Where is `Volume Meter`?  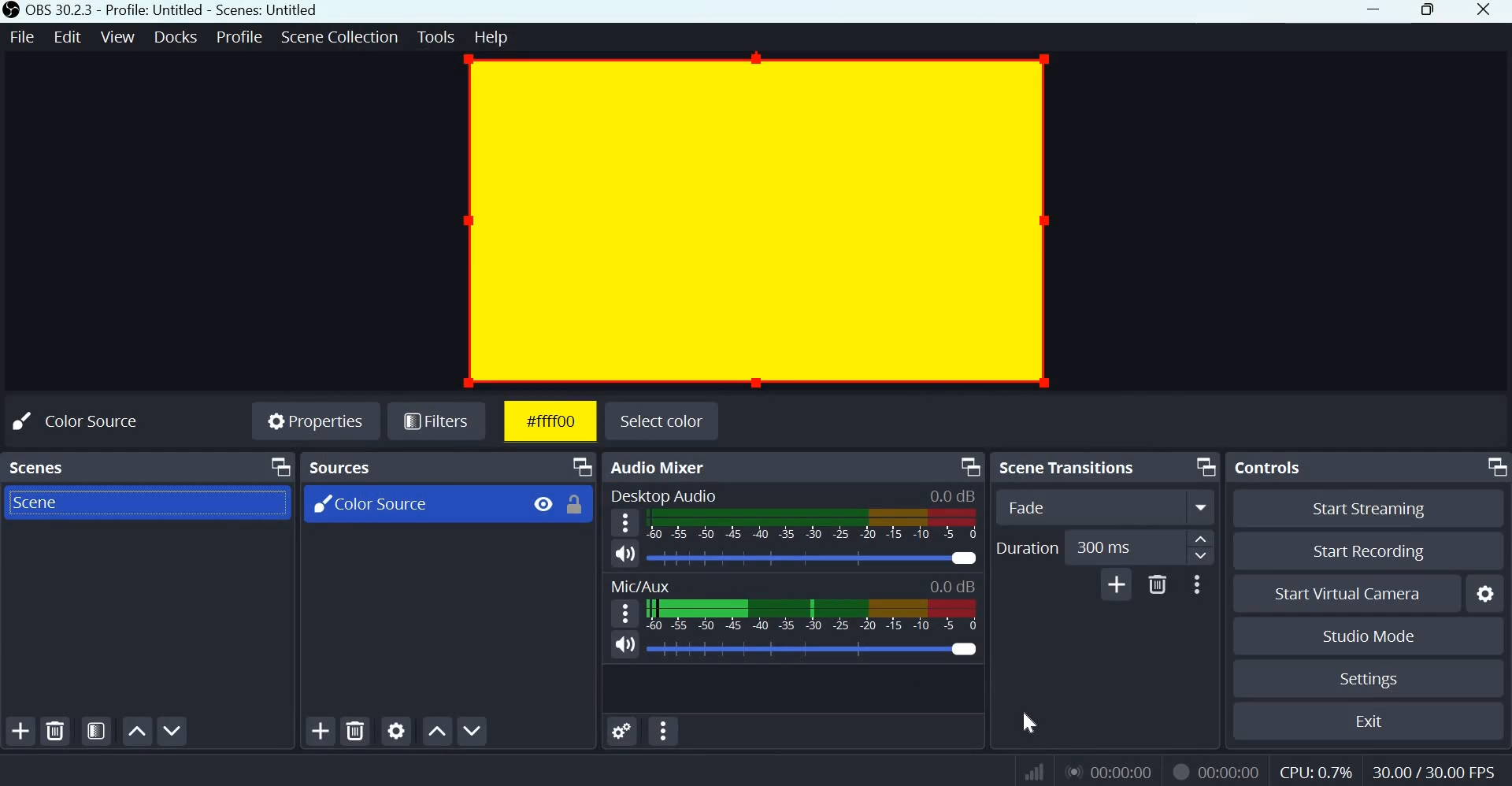
Volume Meter is located at coordinates (814, 525).